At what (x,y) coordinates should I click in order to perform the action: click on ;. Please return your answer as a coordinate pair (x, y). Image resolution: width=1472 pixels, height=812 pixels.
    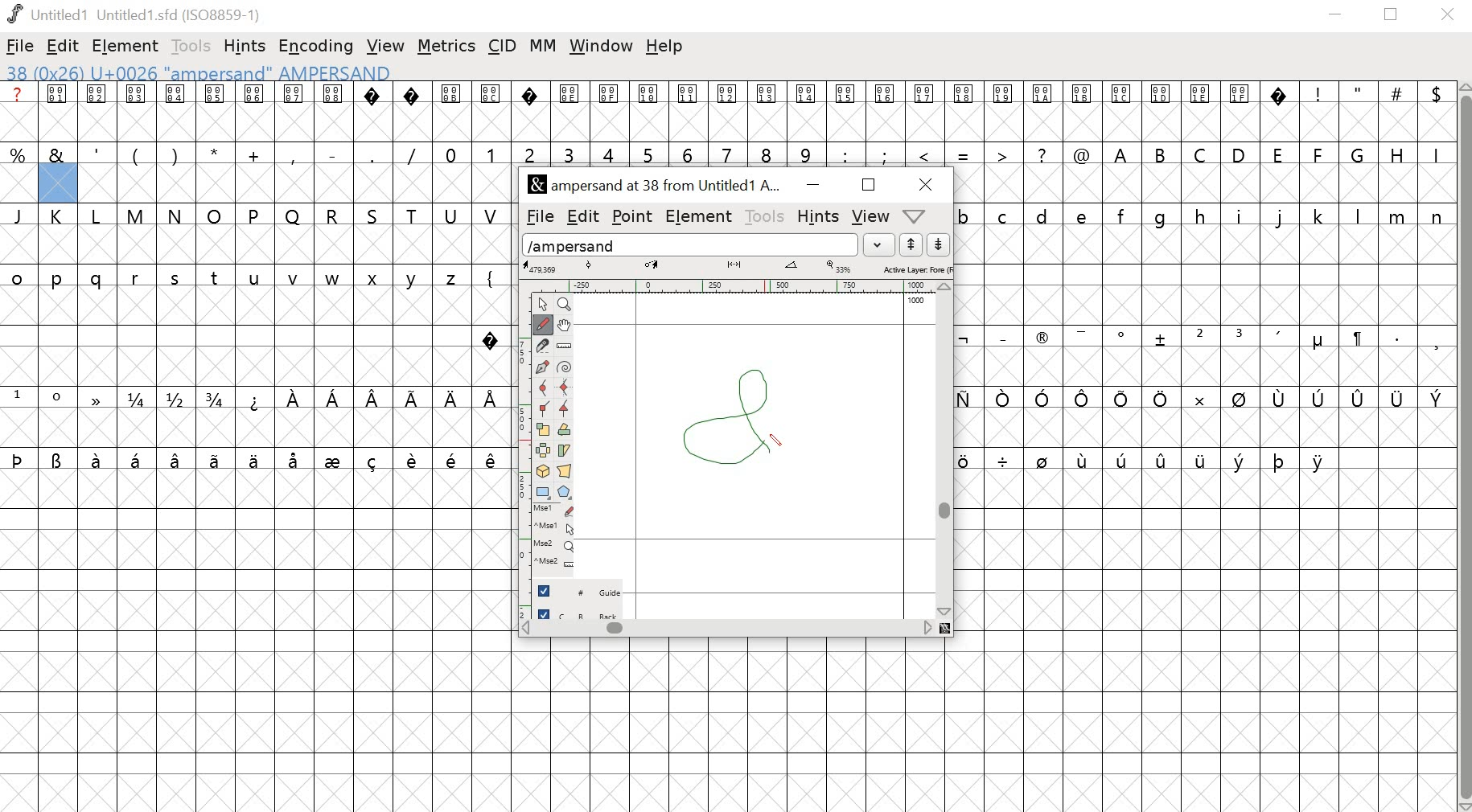
    Looking at the image, I should click on (886, 154).